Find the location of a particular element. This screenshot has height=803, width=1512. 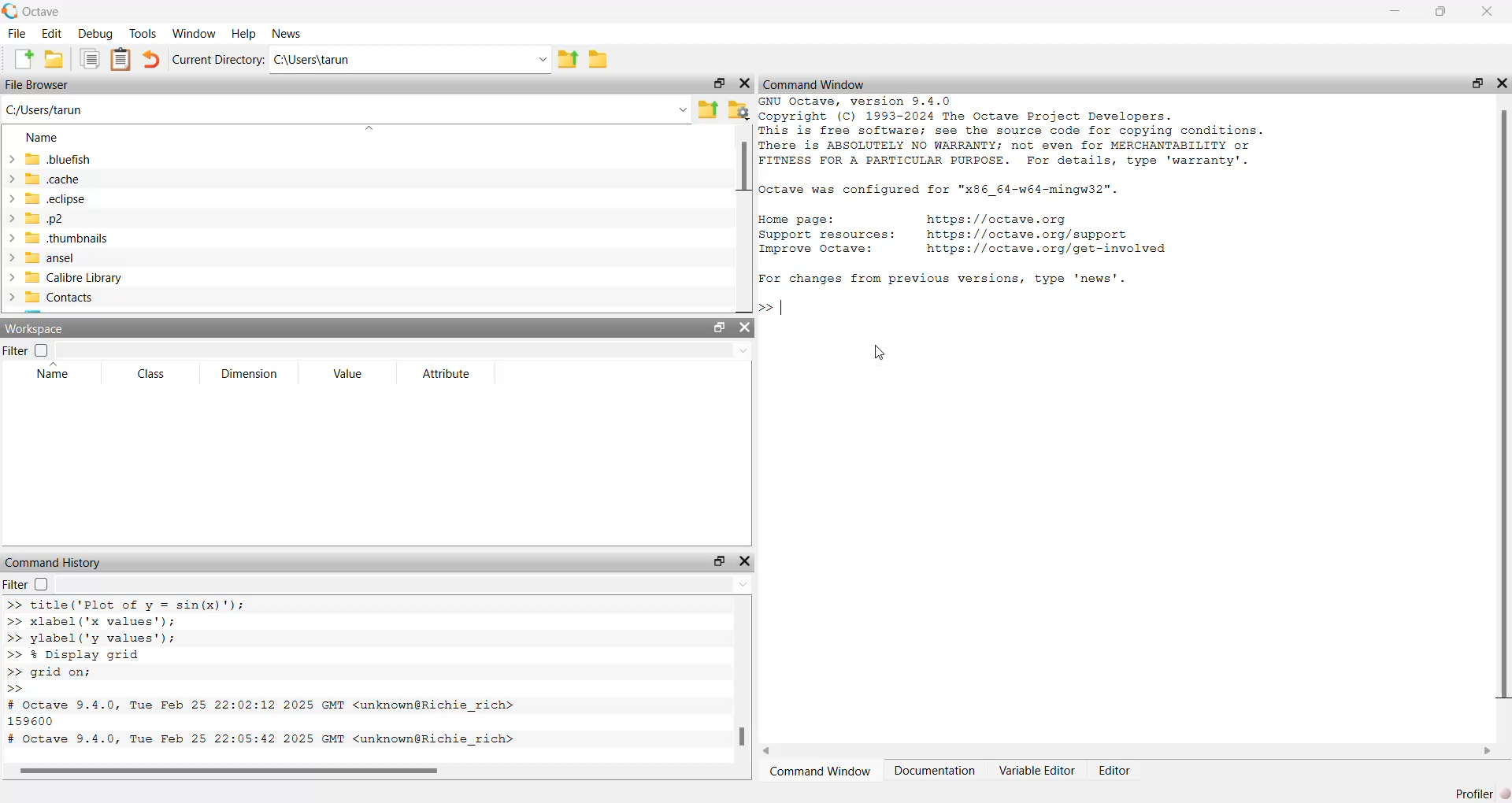

Create new is located at coordinates (25, 59).